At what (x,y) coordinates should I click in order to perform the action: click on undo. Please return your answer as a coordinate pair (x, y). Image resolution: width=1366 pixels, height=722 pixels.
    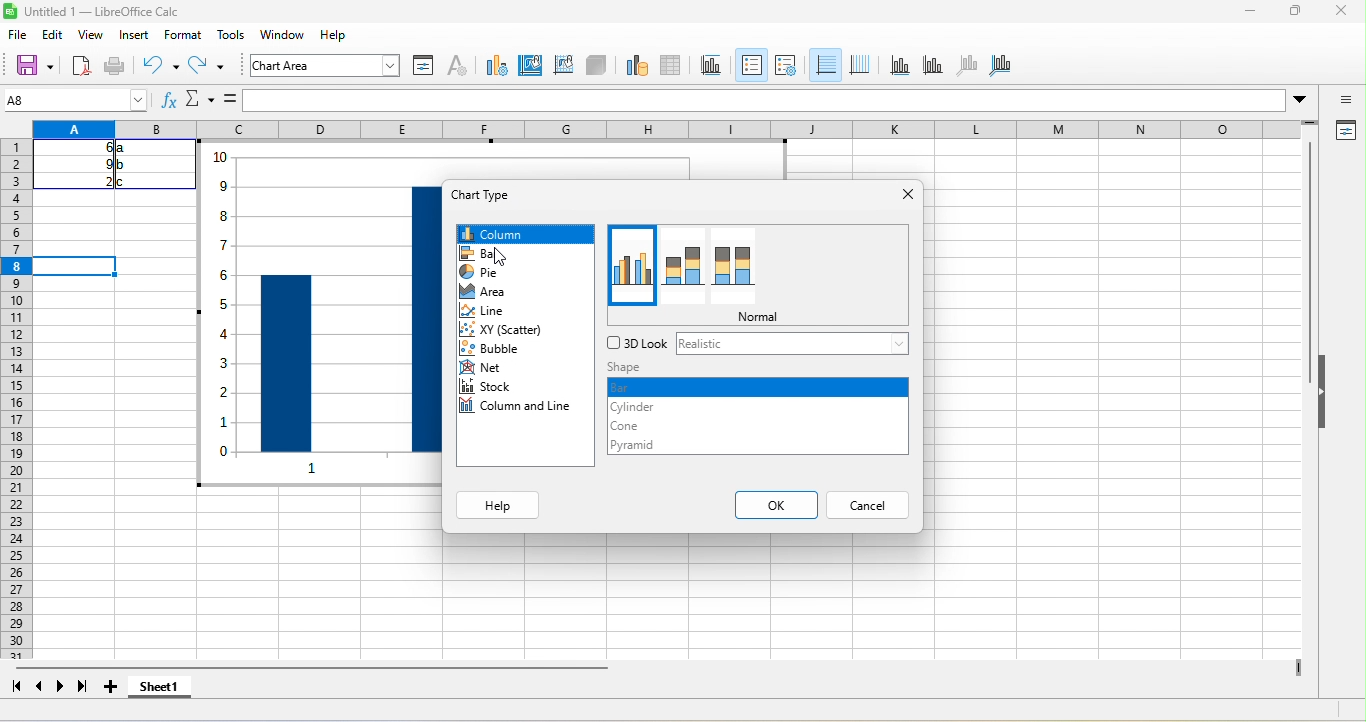
    Looking at the image, I should click on (157, 66).